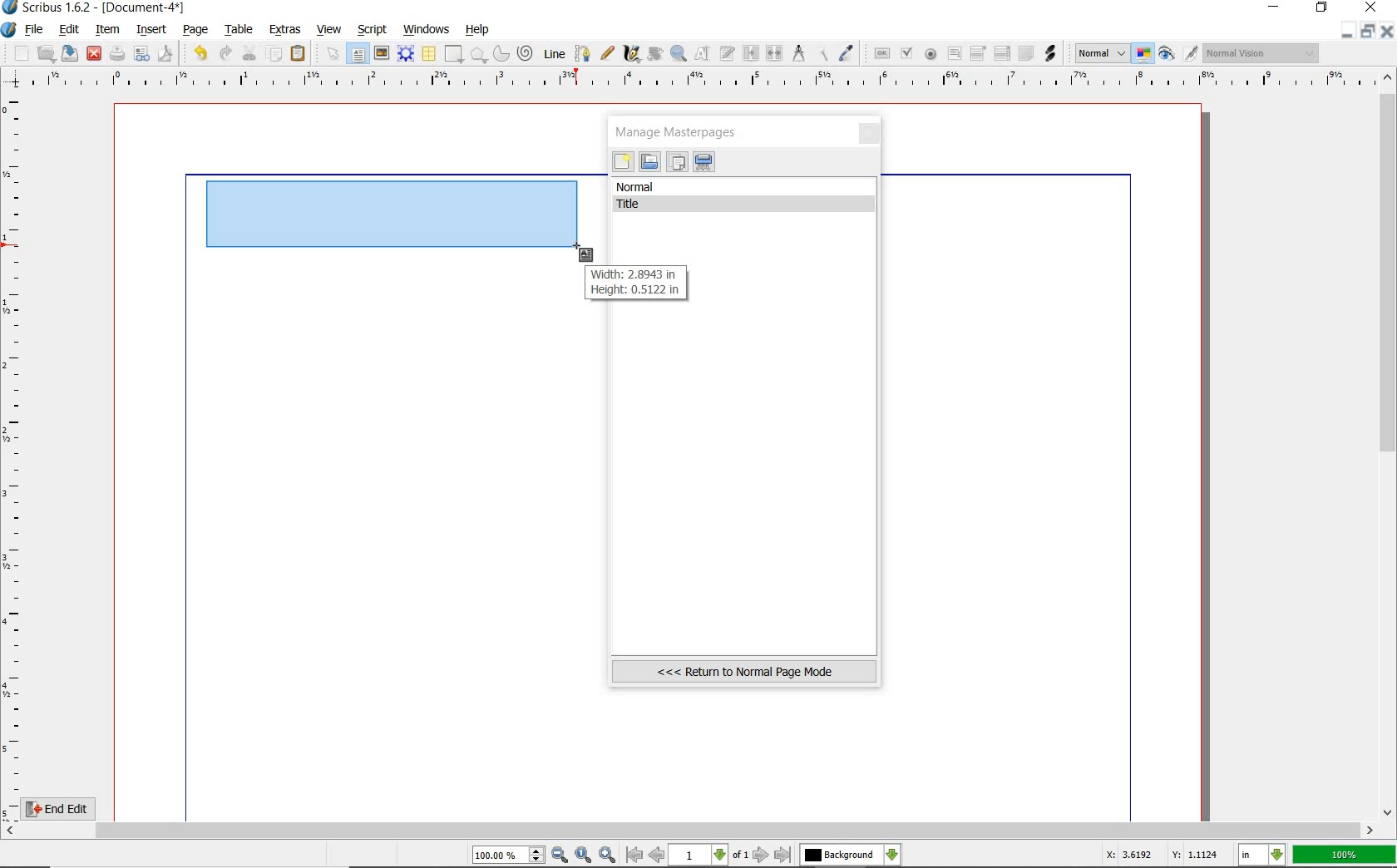 The height and width of the screenshot is (868, 1397). I want to click on unlink text frames, so click(775, 54).